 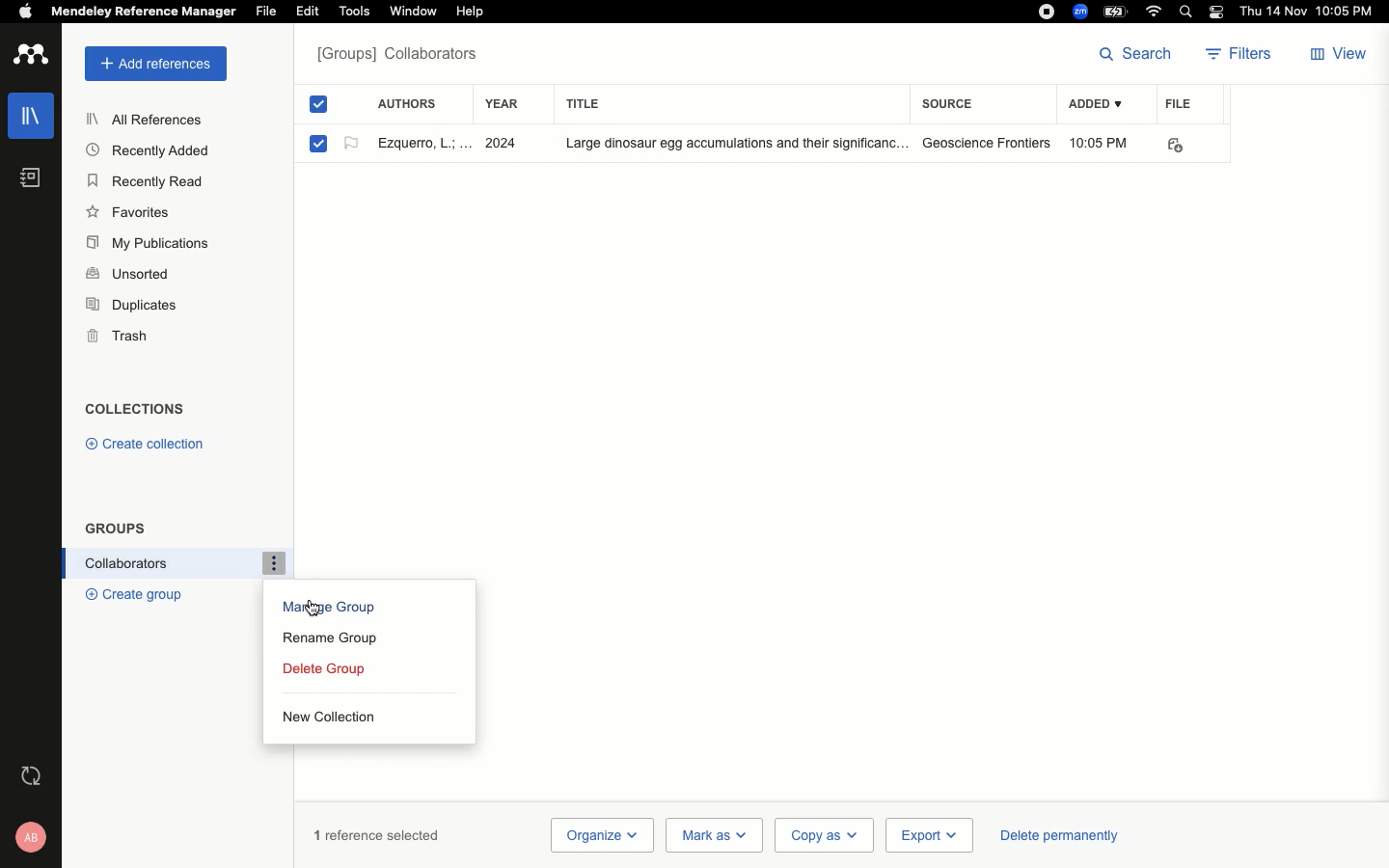 I want to click on Delete group, so click(x=328, y=671).